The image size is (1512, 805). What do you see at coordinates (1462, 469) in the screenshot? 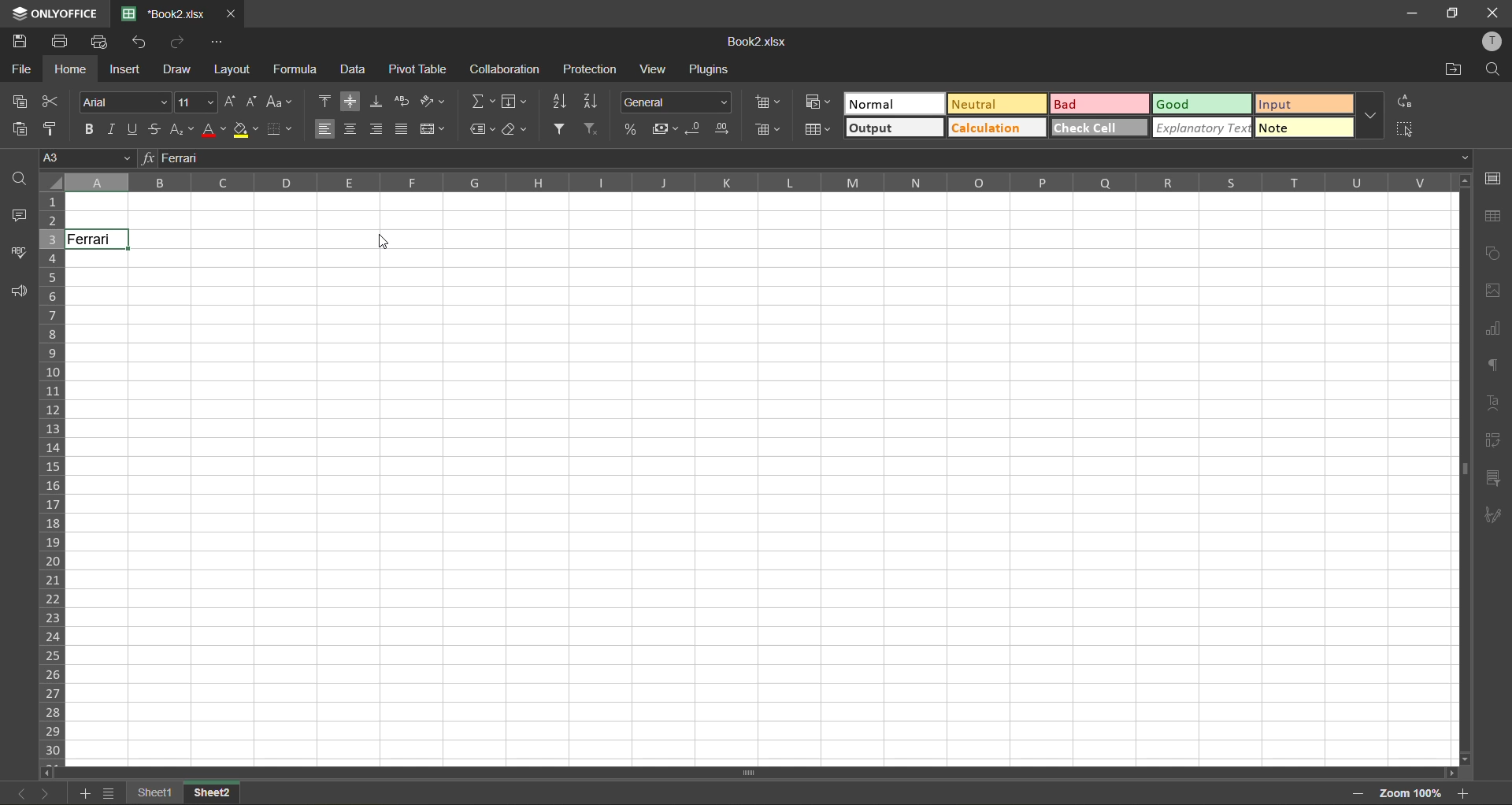
I see `Scrollbar` at bounding box center [1462, 469].